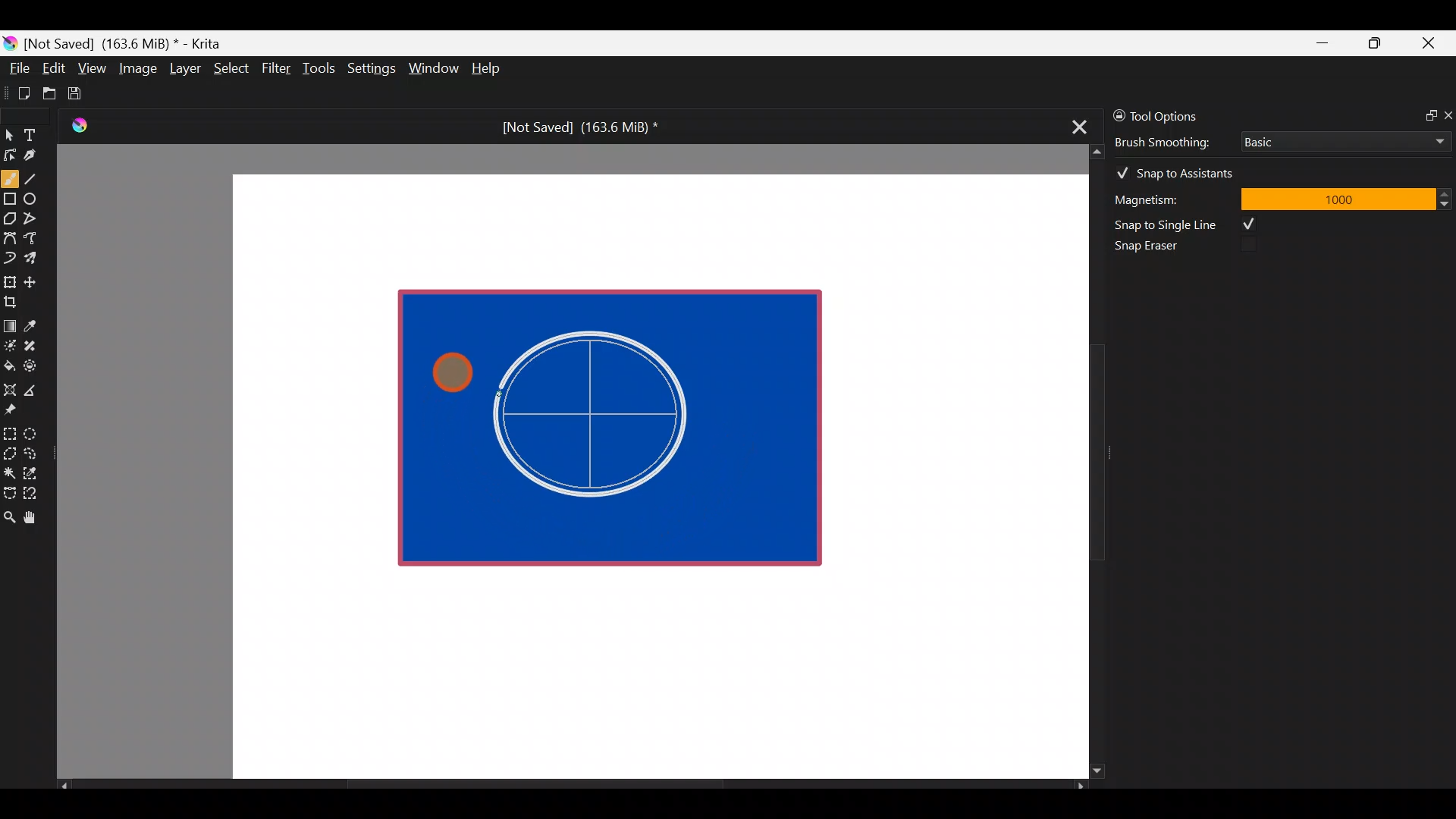 The image size is (1456, 819). What do you see at coordinates (1086, 462) in the screenshot?
I see `Scroll bar` at bounding box center [1086, 462].